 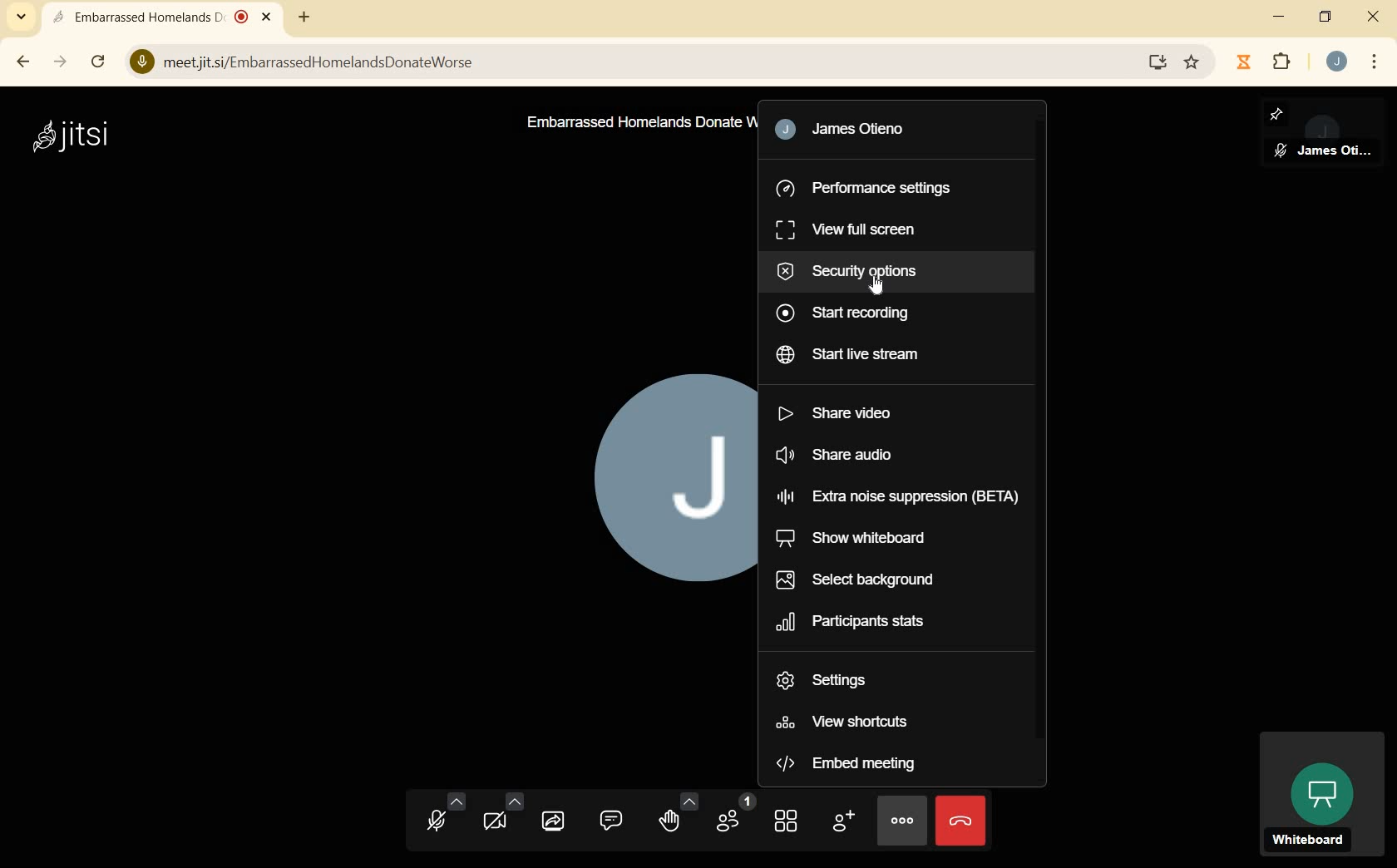 I want to click on whiteboard, so click(x=1320, y=795).